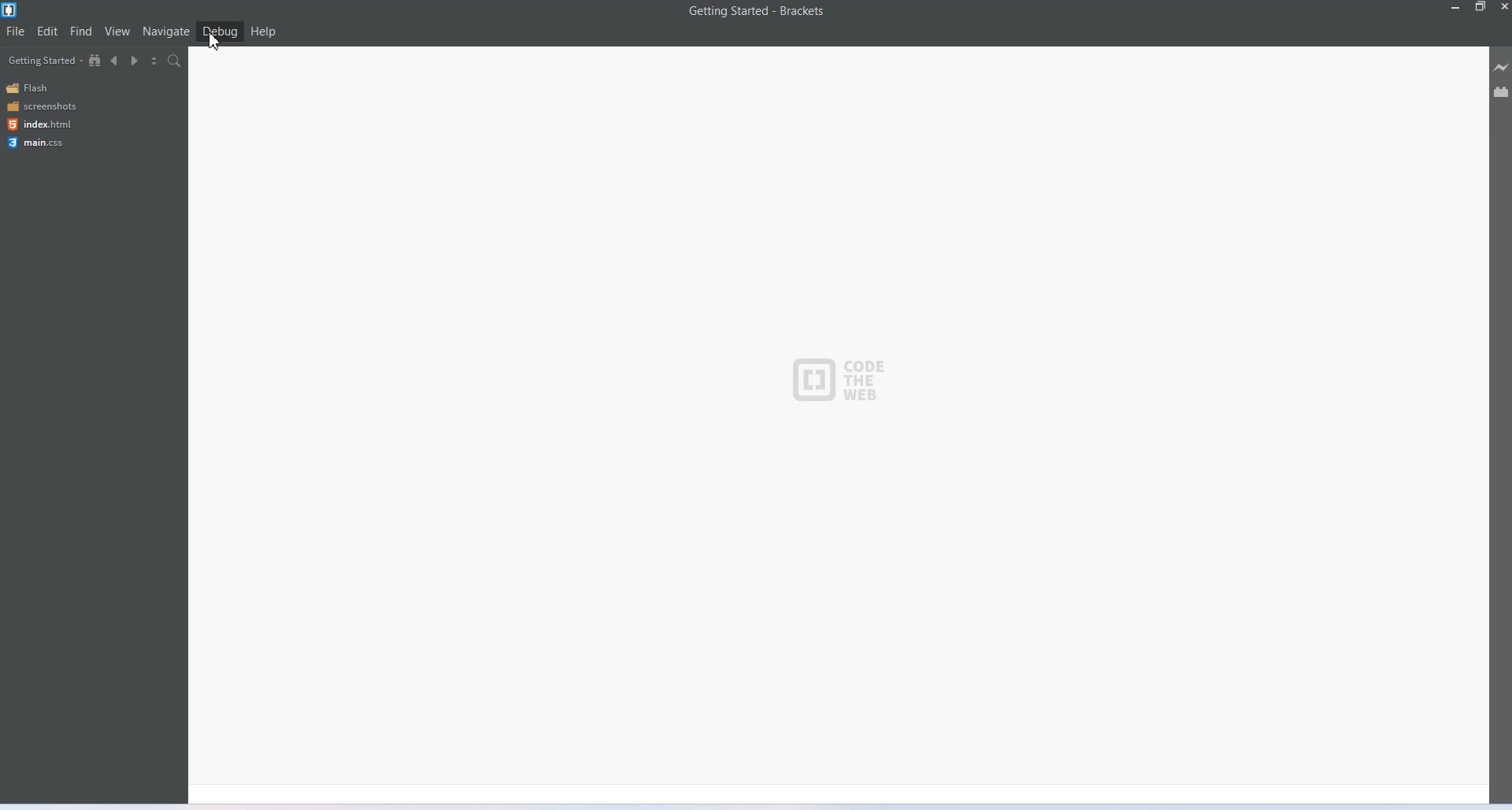 Image resolution: width=1512 pixels, height=810 pixels. What do you see at coordinates (166, 32) in the screenshot?
I see `Navigate` at bounding box center [166, 32].